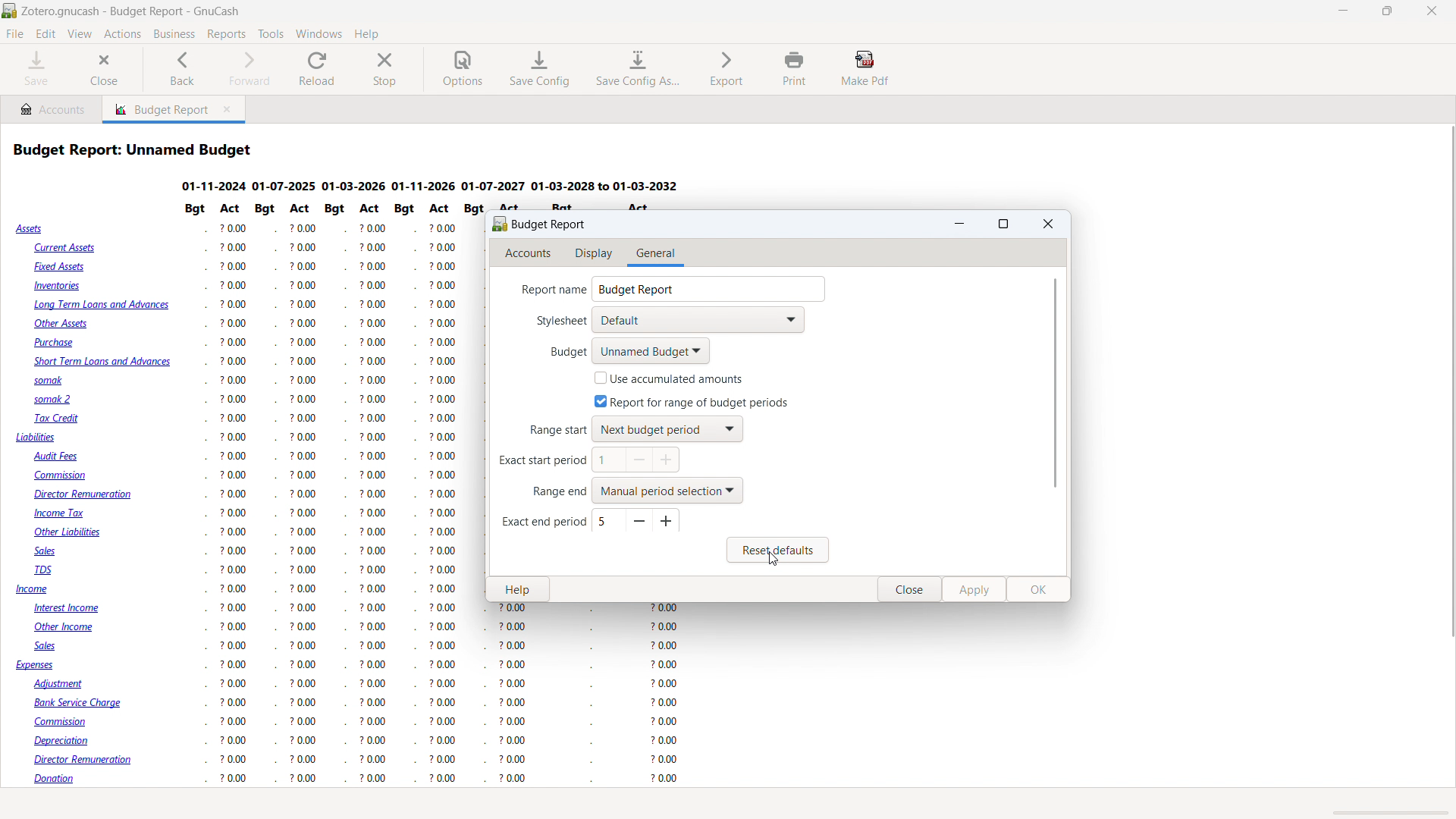 The height and width of the screenshot is (819, 1456). Describe the element at coordinates (102, 307) in the screenshot. I see `Long Term Loans and Advances` at that location.